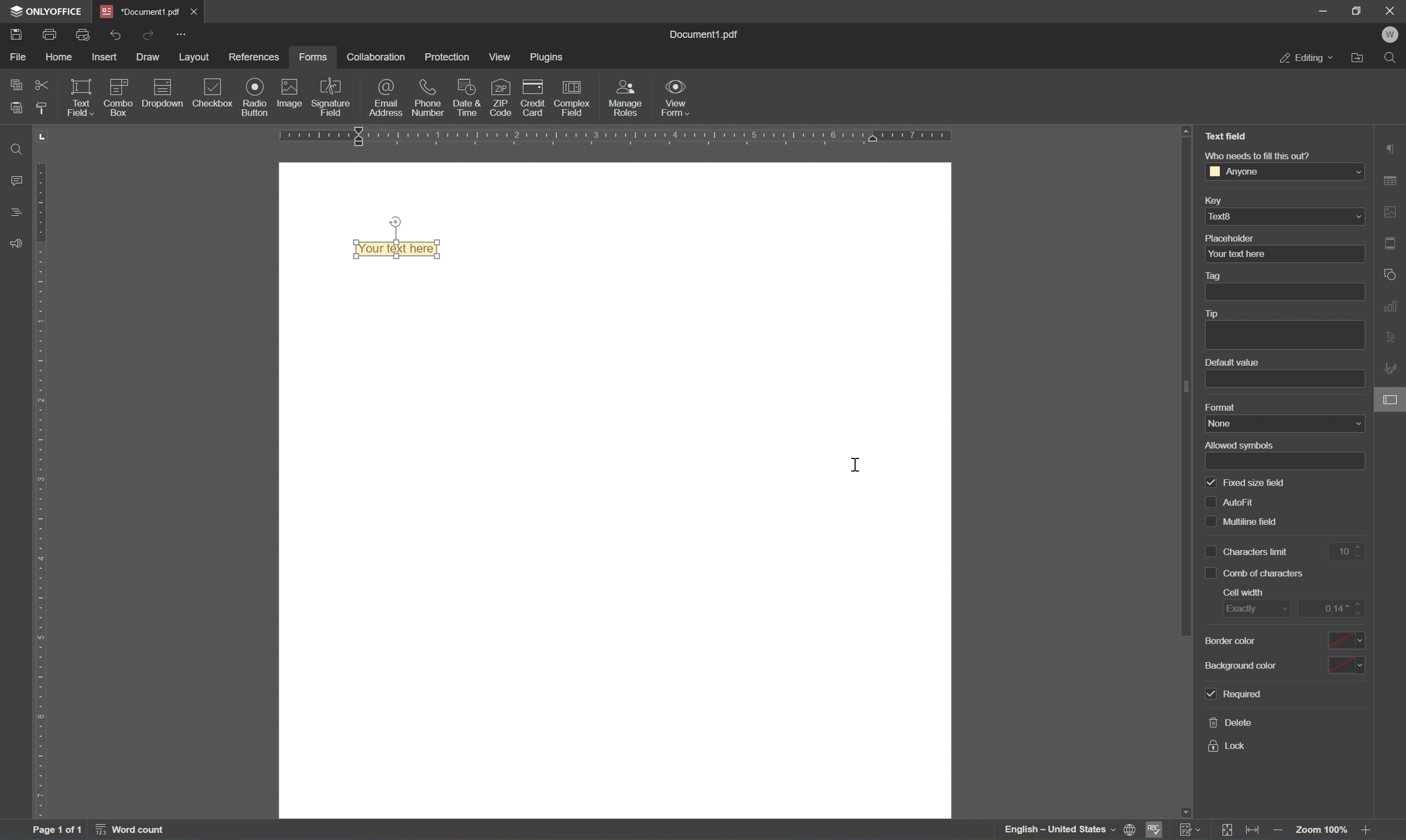 This screenshot has height=840, width=1406. Describe the element at coordinates (1284, 640) in the screenshot. I see `border color` at that location.